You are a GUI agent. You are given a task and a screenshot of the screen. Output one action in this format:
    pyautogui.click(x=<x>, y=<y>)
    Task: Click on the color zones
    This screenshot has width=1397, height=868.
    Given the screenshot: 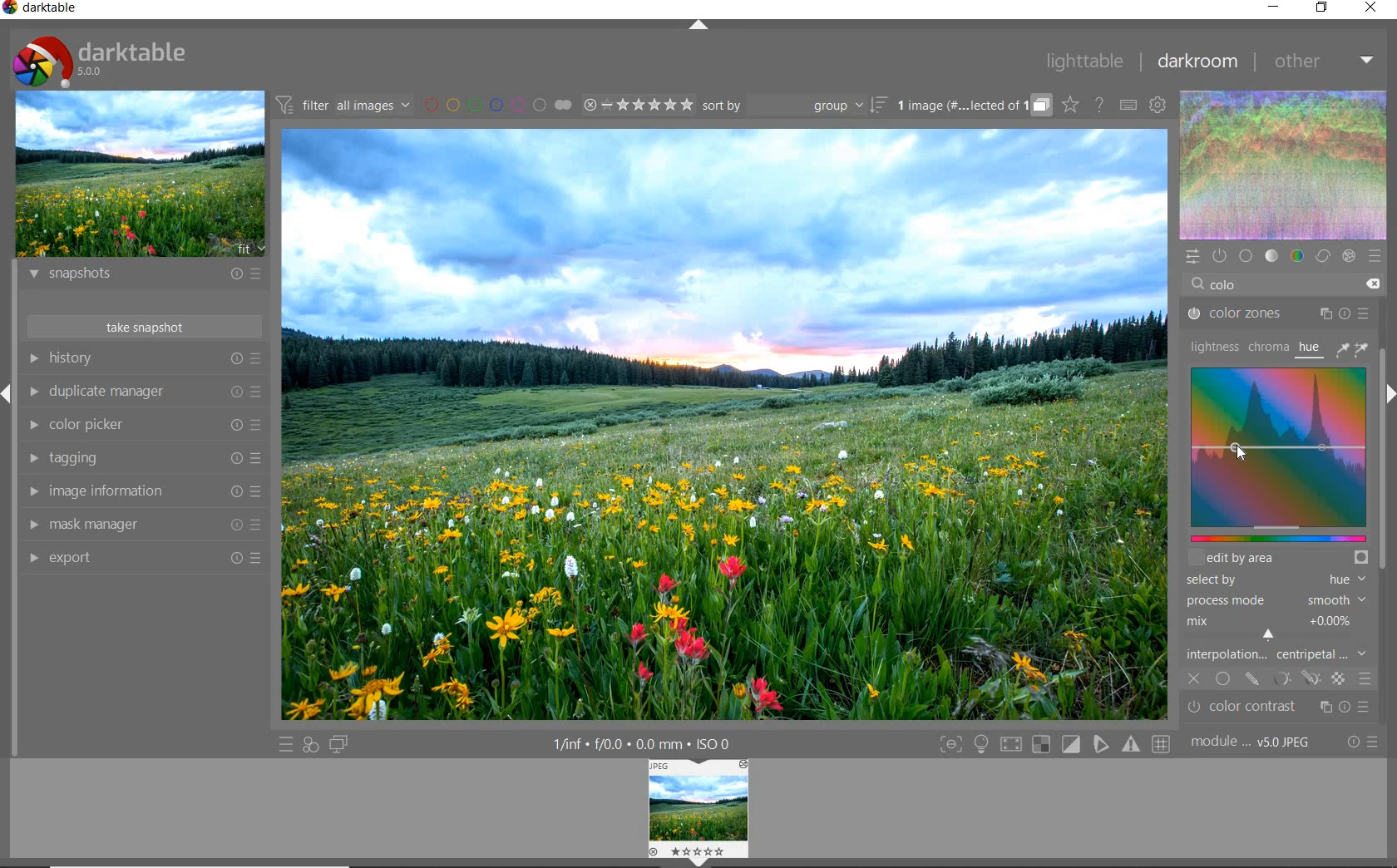 What is the action you would take?
    pyautogui.click(x=1279, y=316)
    